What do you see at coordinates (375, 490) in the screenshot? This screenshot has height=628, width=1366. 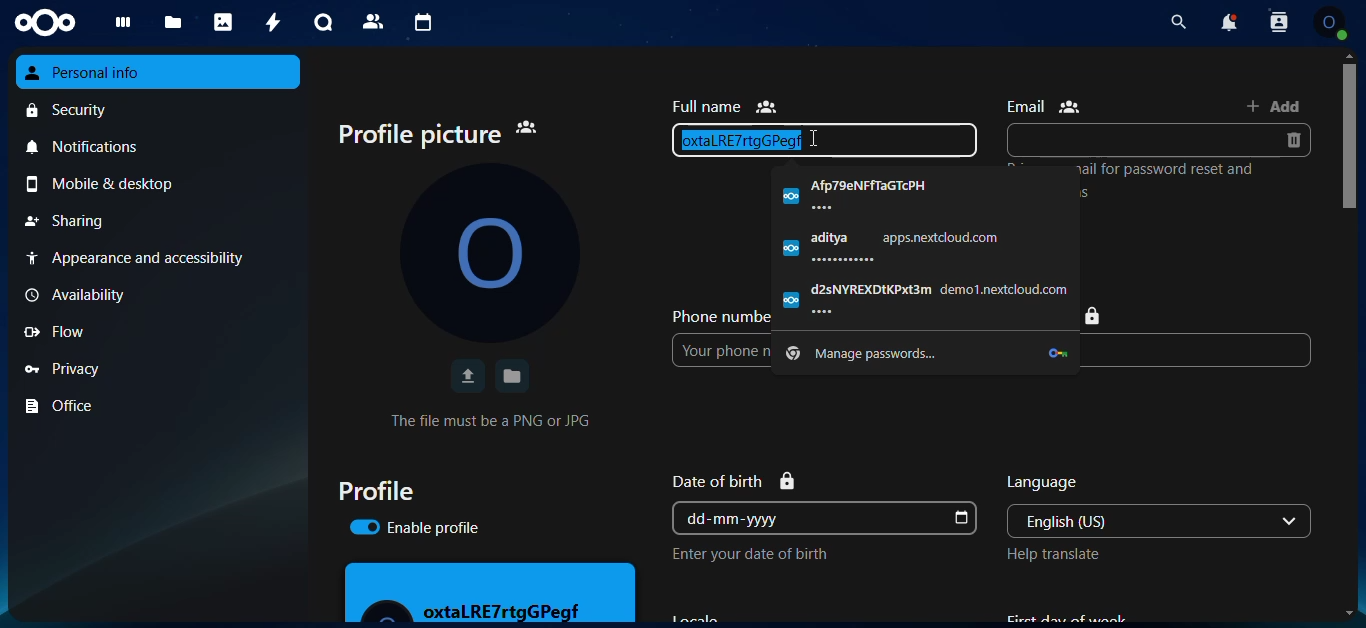 I see `profile` at bounding box center [375, 490].